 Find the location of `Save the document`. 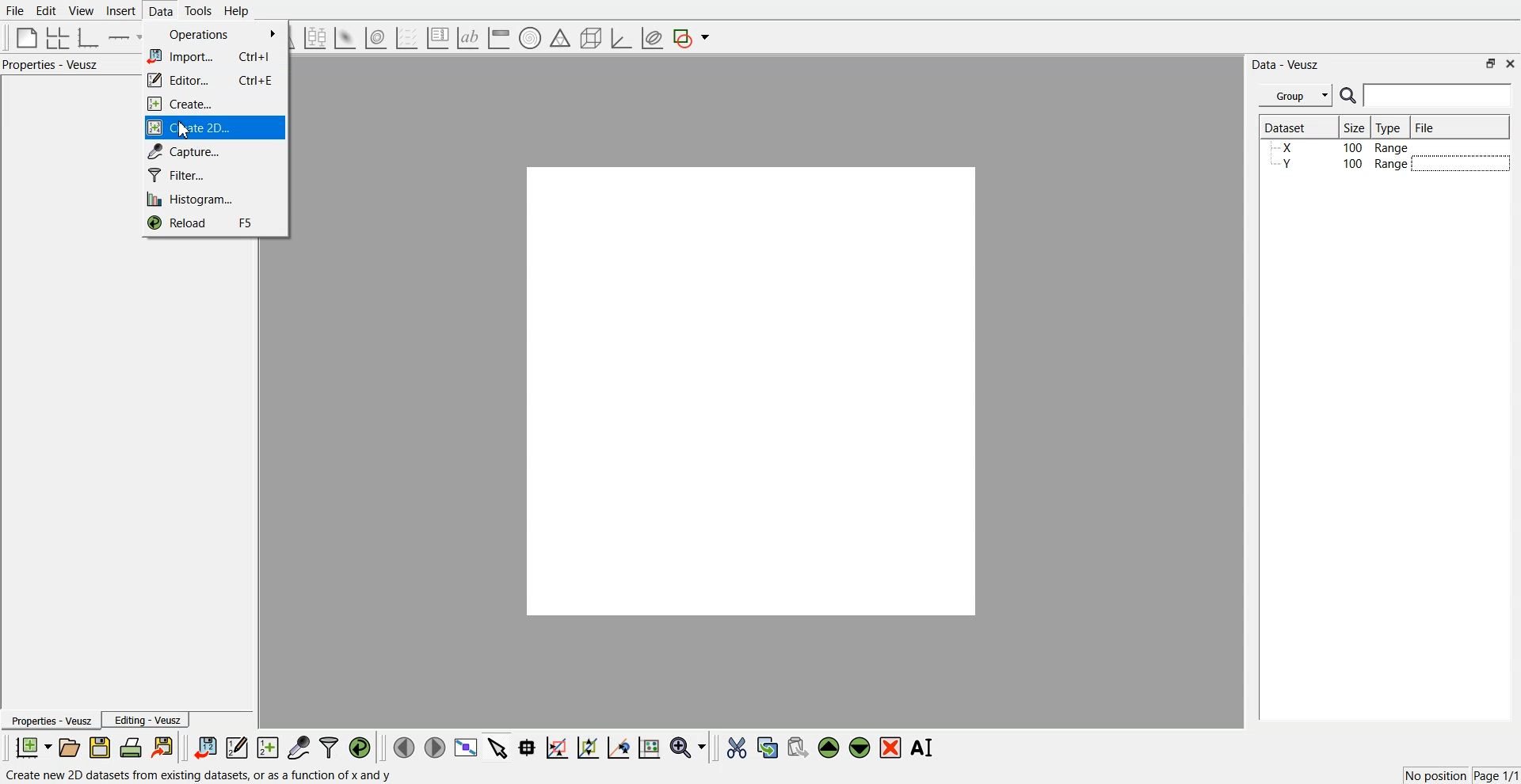

Save the document is located at coordinates (100, 747).